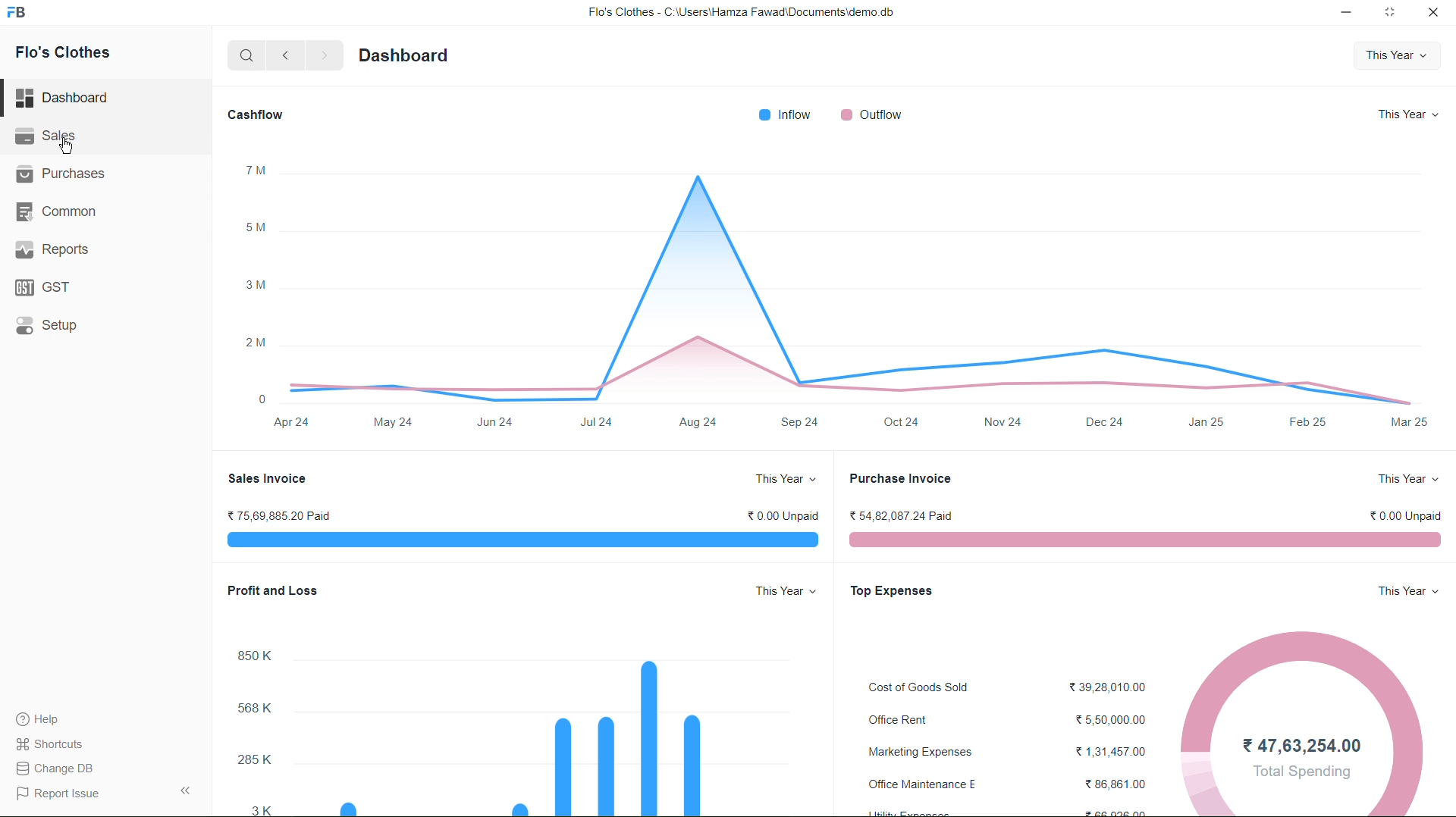 The width and height of the screenshot is (1456, 817). Describe the element at coordinates (774, 515) in the screenshot. I see `0.00 Unpaid` at that location.